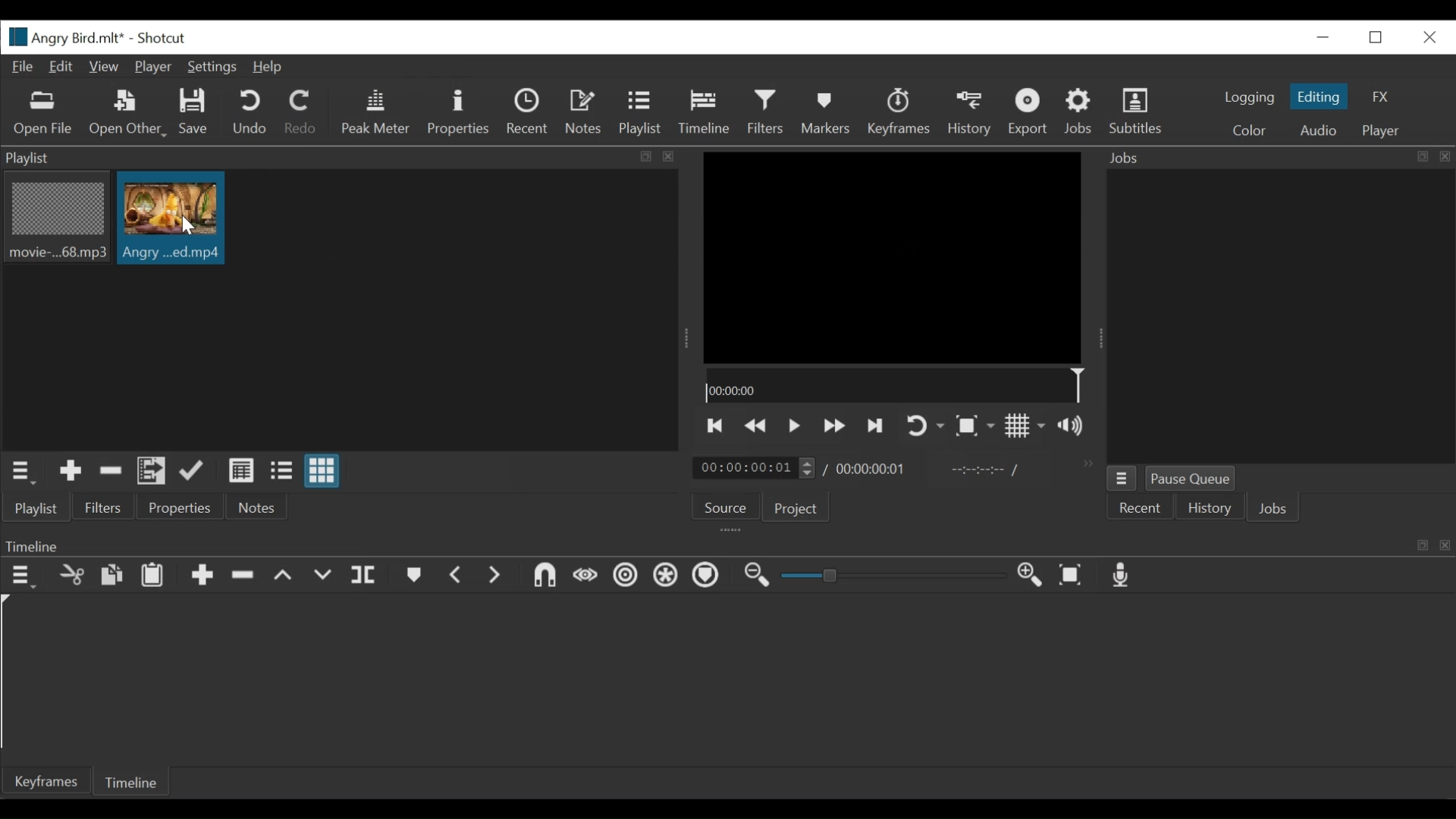 This screenshot has width=1456, height=819. What do you see at coordinates (1141, 507) in the screenshot?
I see `Recent` at bounding box center [1141, 507].